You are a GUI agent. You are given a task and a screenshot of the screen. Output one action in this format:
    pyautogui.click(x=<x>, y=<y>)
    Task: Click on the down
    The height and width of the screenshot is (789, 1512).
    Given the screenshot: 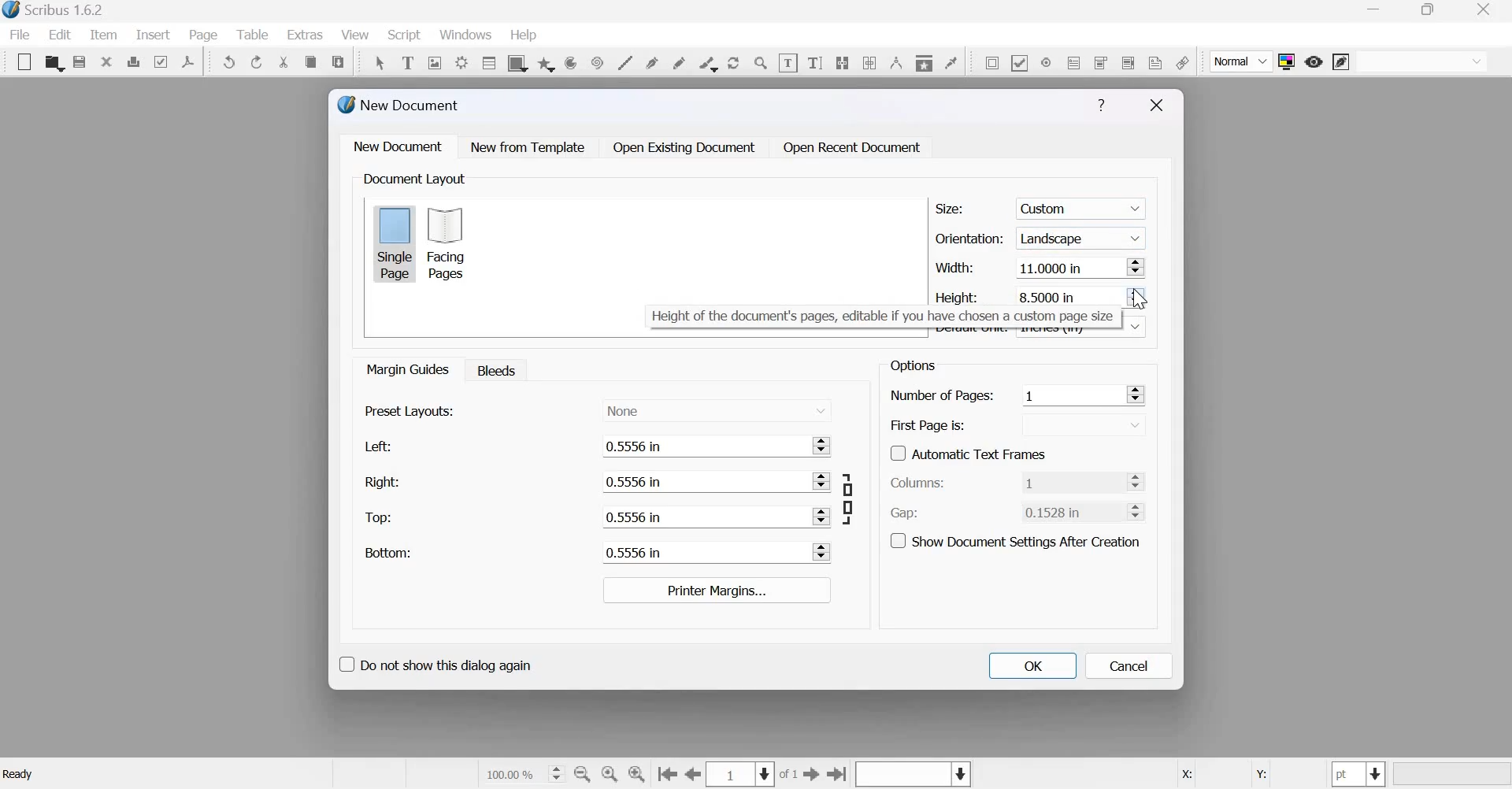 What is the action you would take?
    pyautogui.click(x=1082, y=425)
    